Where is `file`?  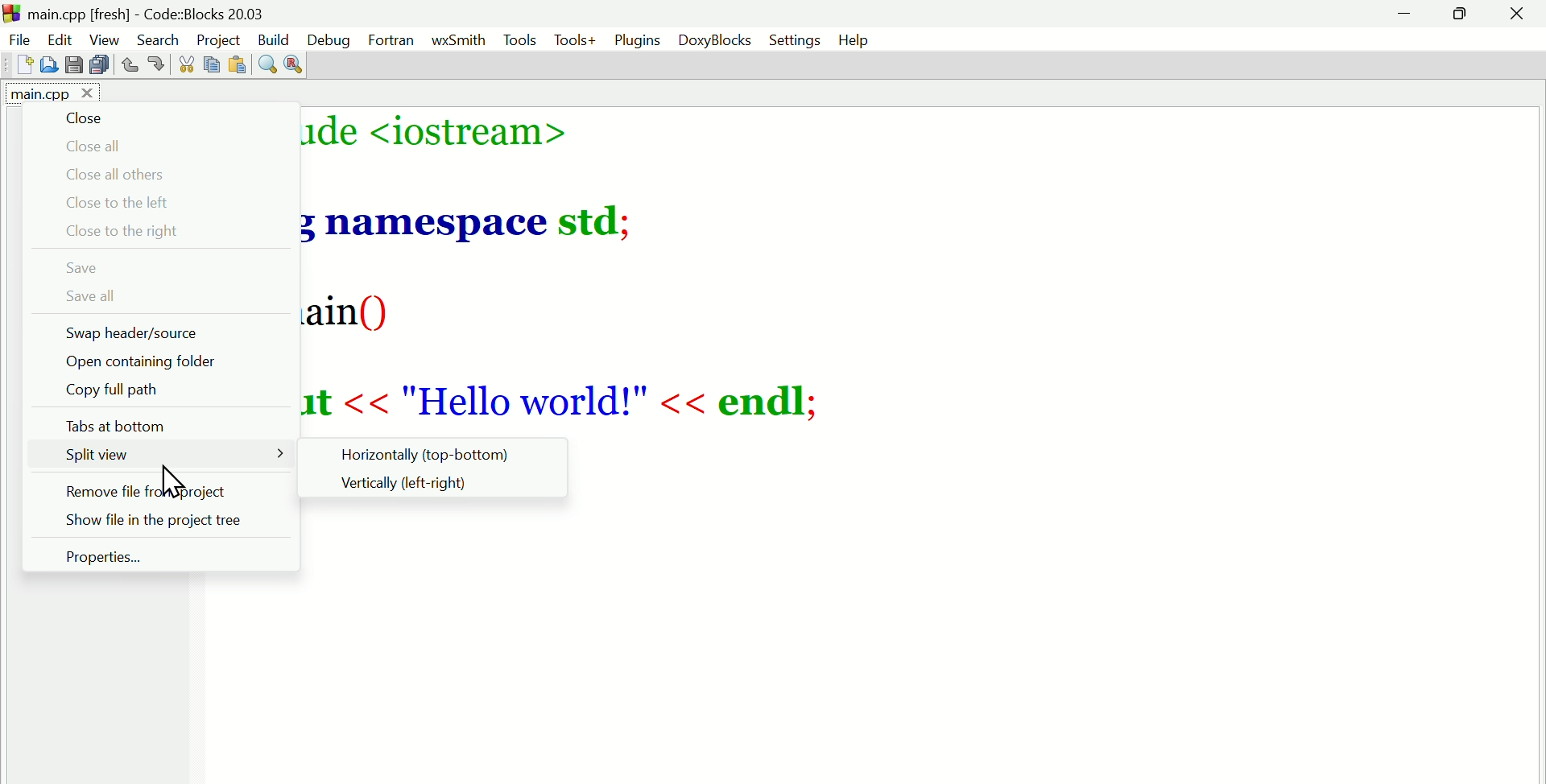 file is located at coordinates (18, 38).